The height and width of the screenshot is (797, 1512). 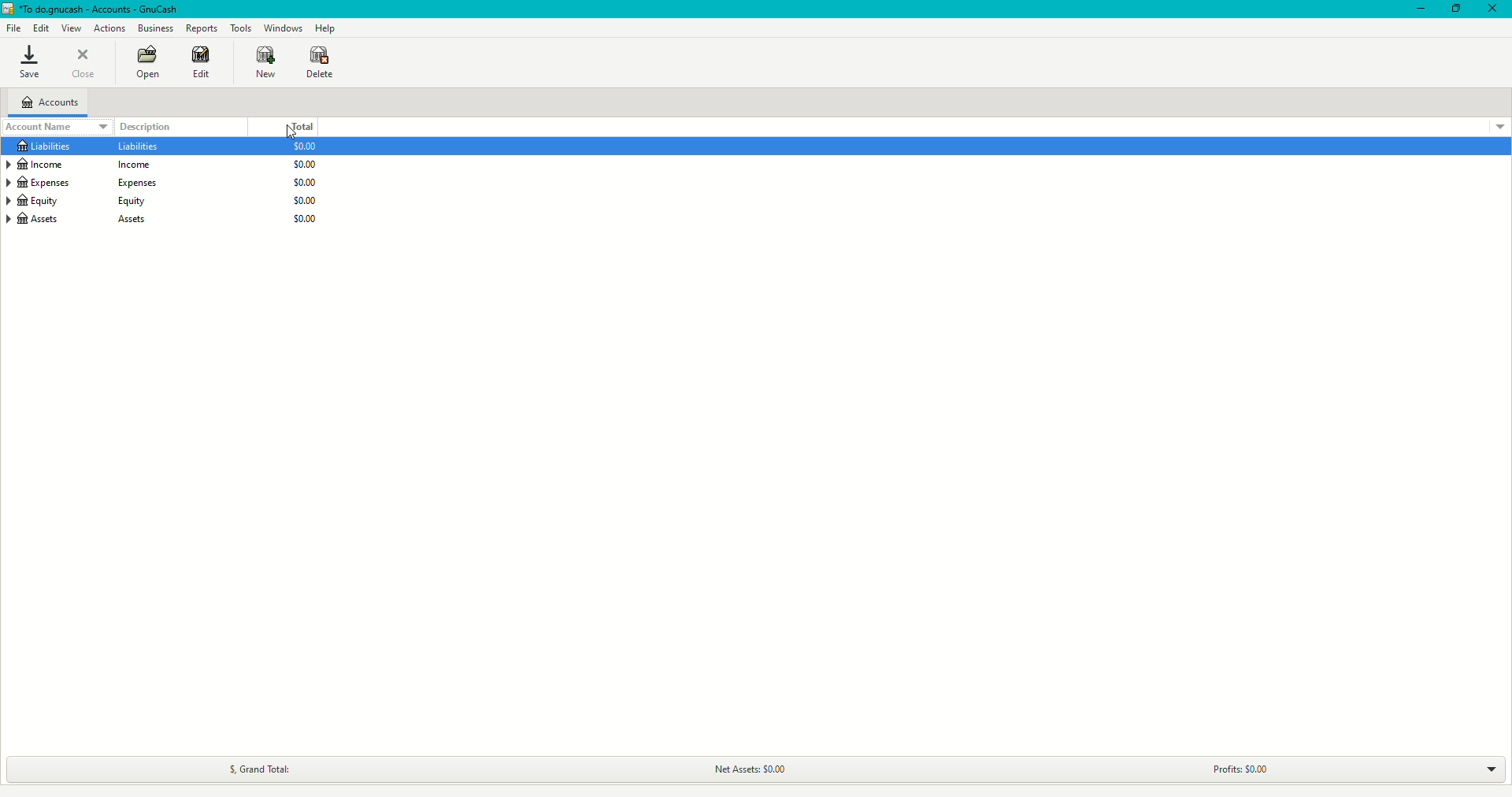 I want to click on Minimize, so click(x=1416, y=8).